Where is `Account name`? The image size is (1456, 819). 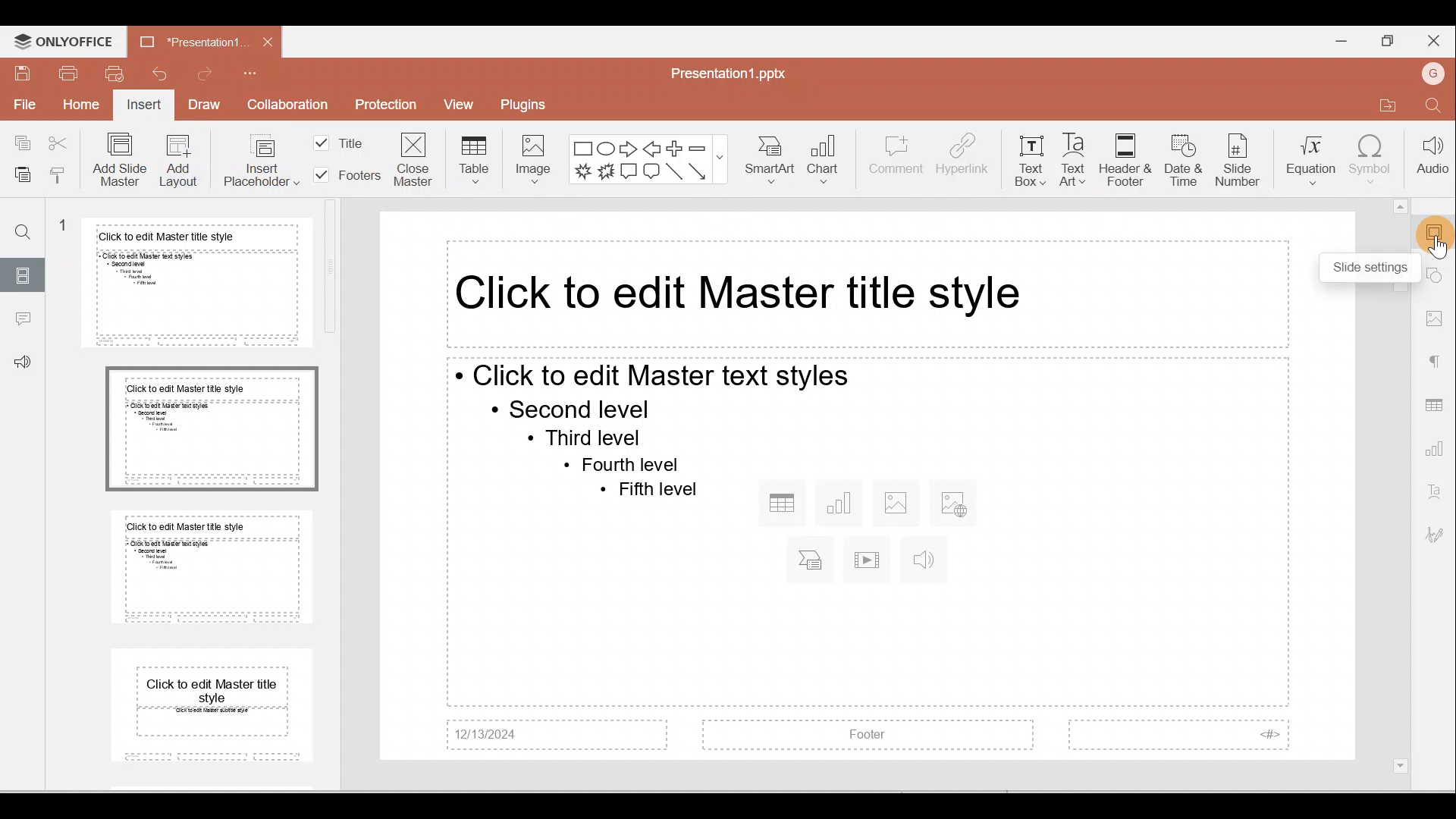
Account name is located at coordinates (1436, 74).